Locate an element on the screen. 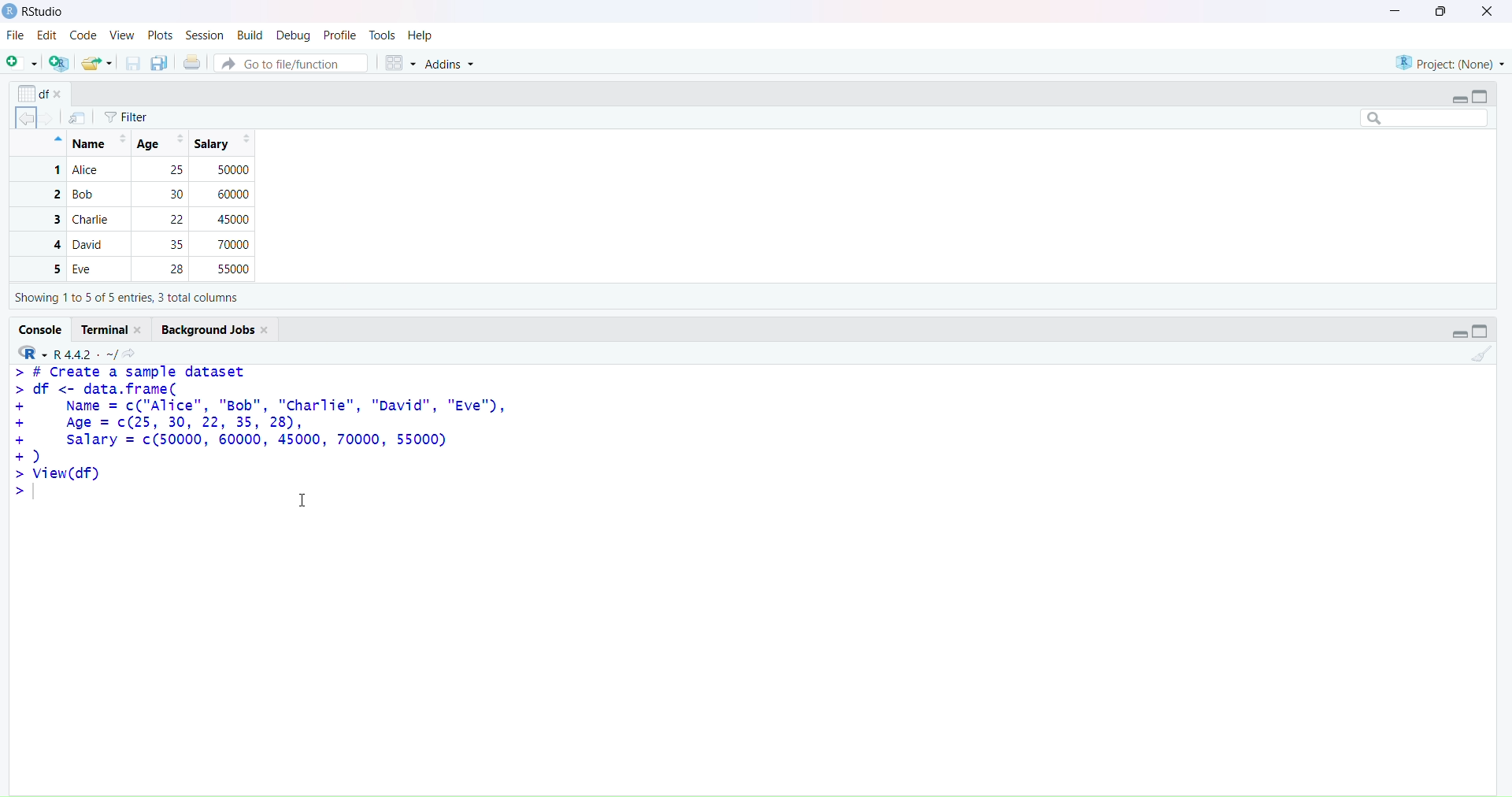 The image size is (1512, 797). tools is located at coordinates (384, 34).